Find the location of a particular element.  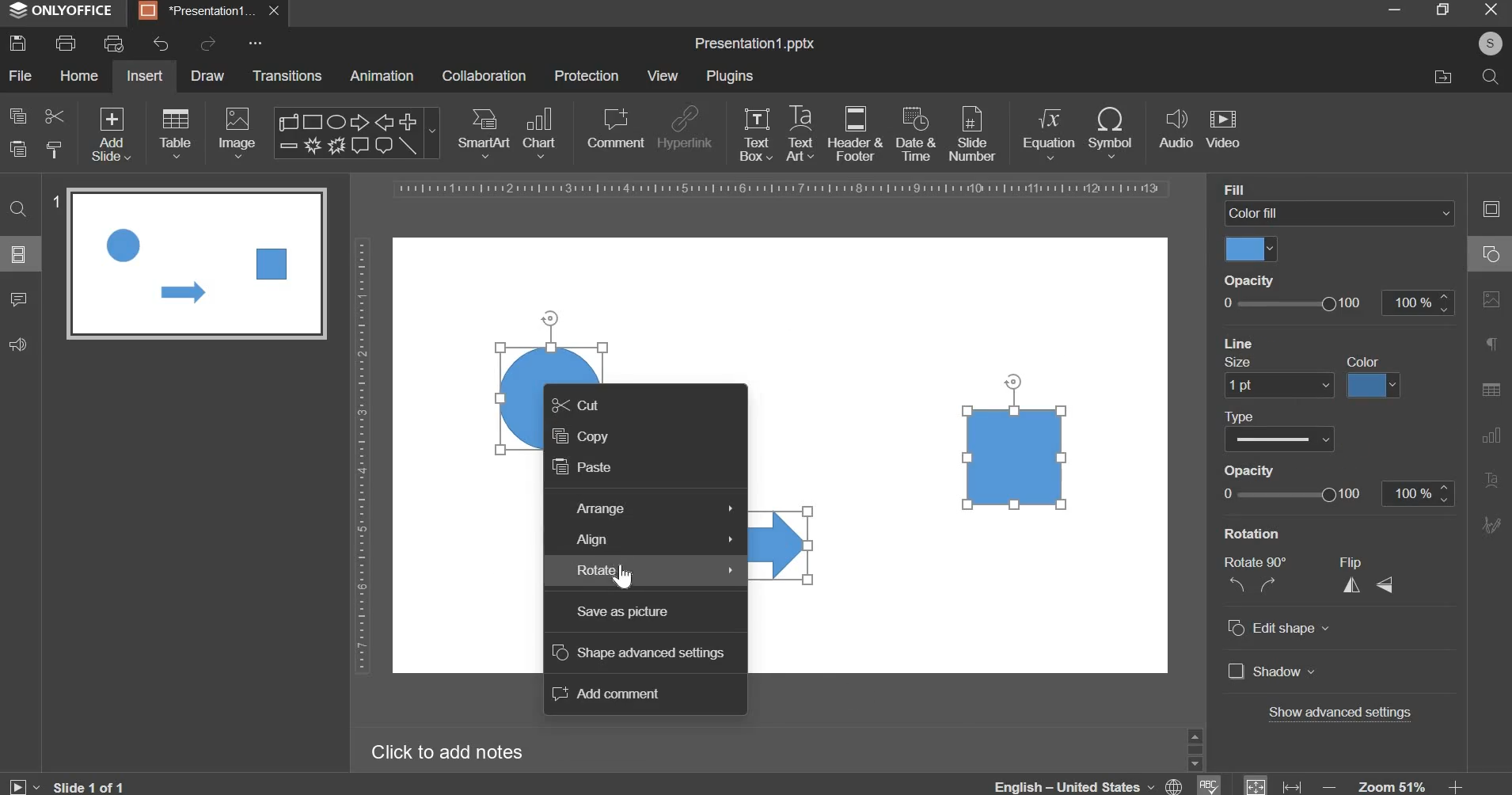

size is located at coordinates (1241, 363).